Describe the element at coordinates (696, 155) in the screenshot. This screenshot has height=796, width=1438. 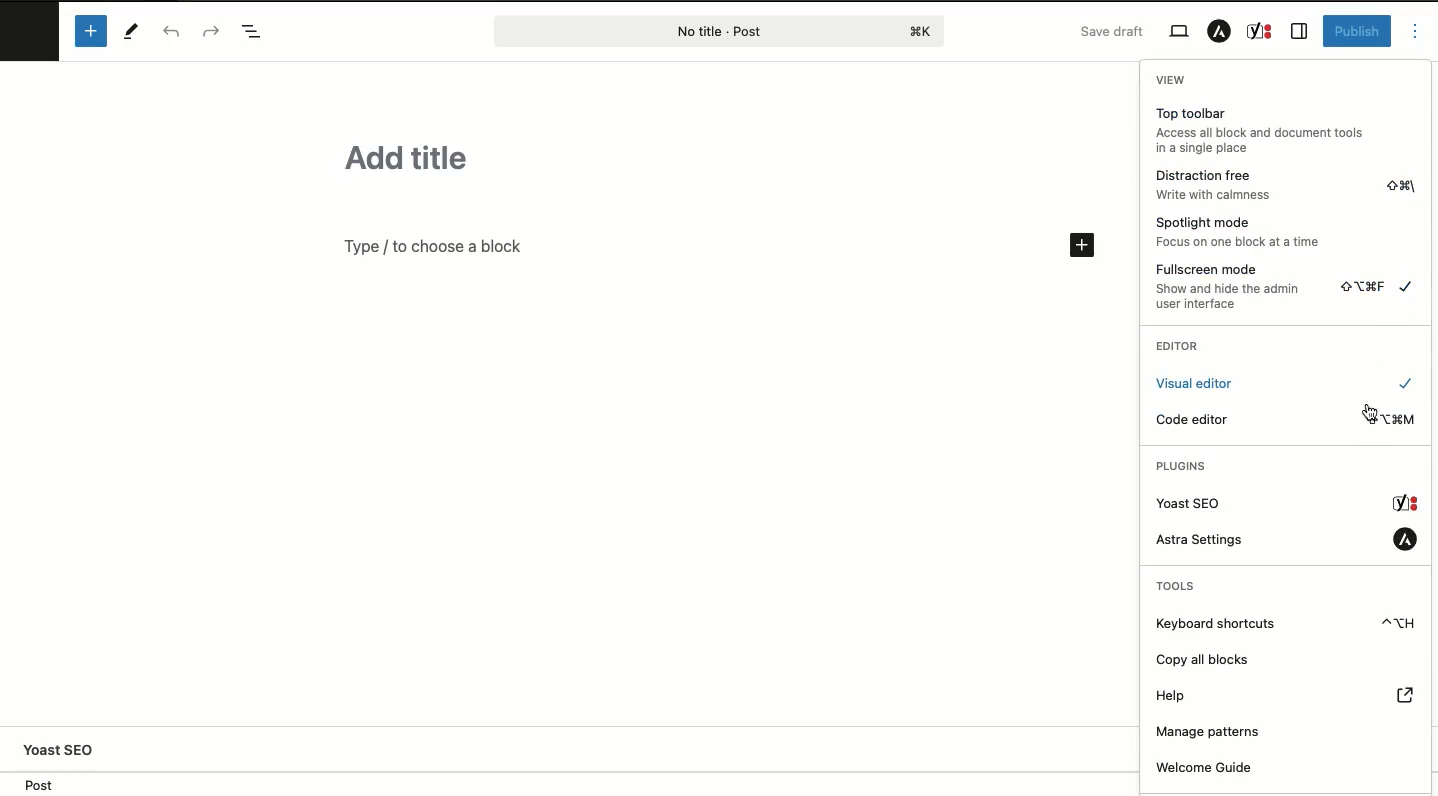
I see `Title` at that location.